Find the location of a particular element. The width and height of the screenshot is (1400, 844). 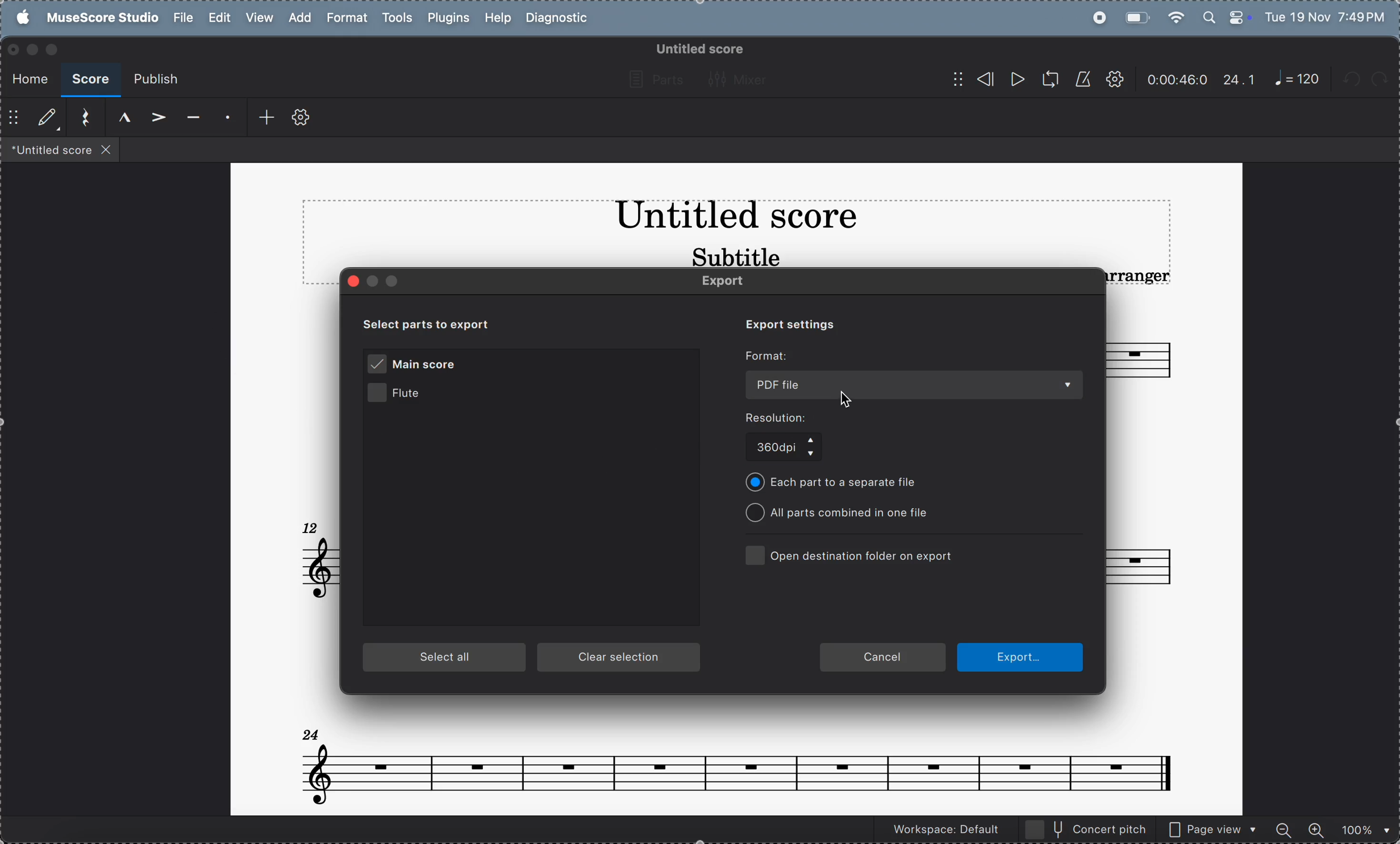

Export is located at coordinates (1020, 656).